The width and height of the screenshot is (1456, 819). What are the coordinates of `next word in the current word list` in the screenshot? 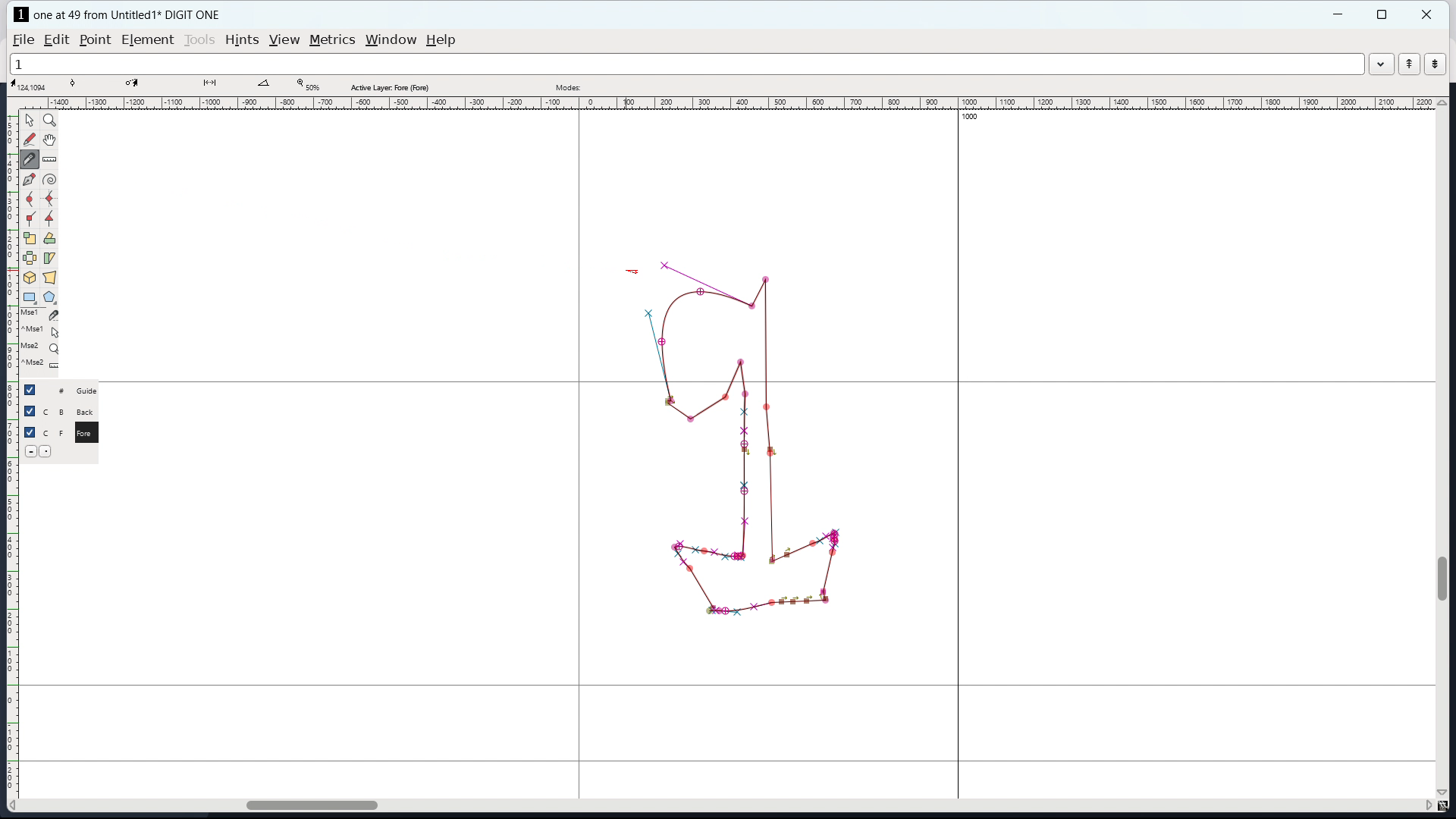 It's located at (1435, 64).